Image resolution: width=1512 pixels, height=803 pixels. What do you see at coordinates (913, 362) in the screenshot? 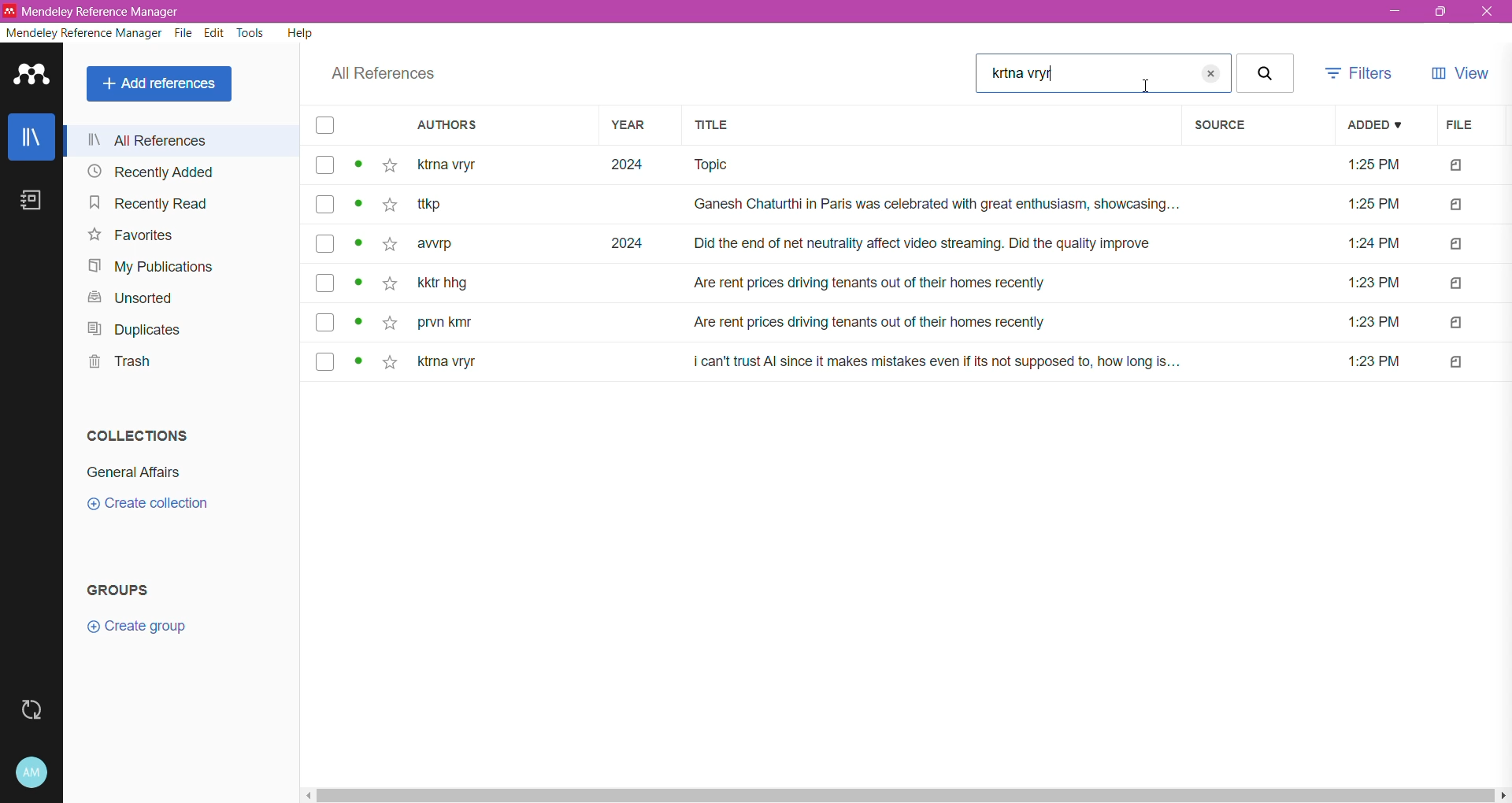
I see `ktrna vryr i can't trust Al since it makes mistakes even if its not supposed to, how long is... 1:23 PM` at bounding box center [913, 362].